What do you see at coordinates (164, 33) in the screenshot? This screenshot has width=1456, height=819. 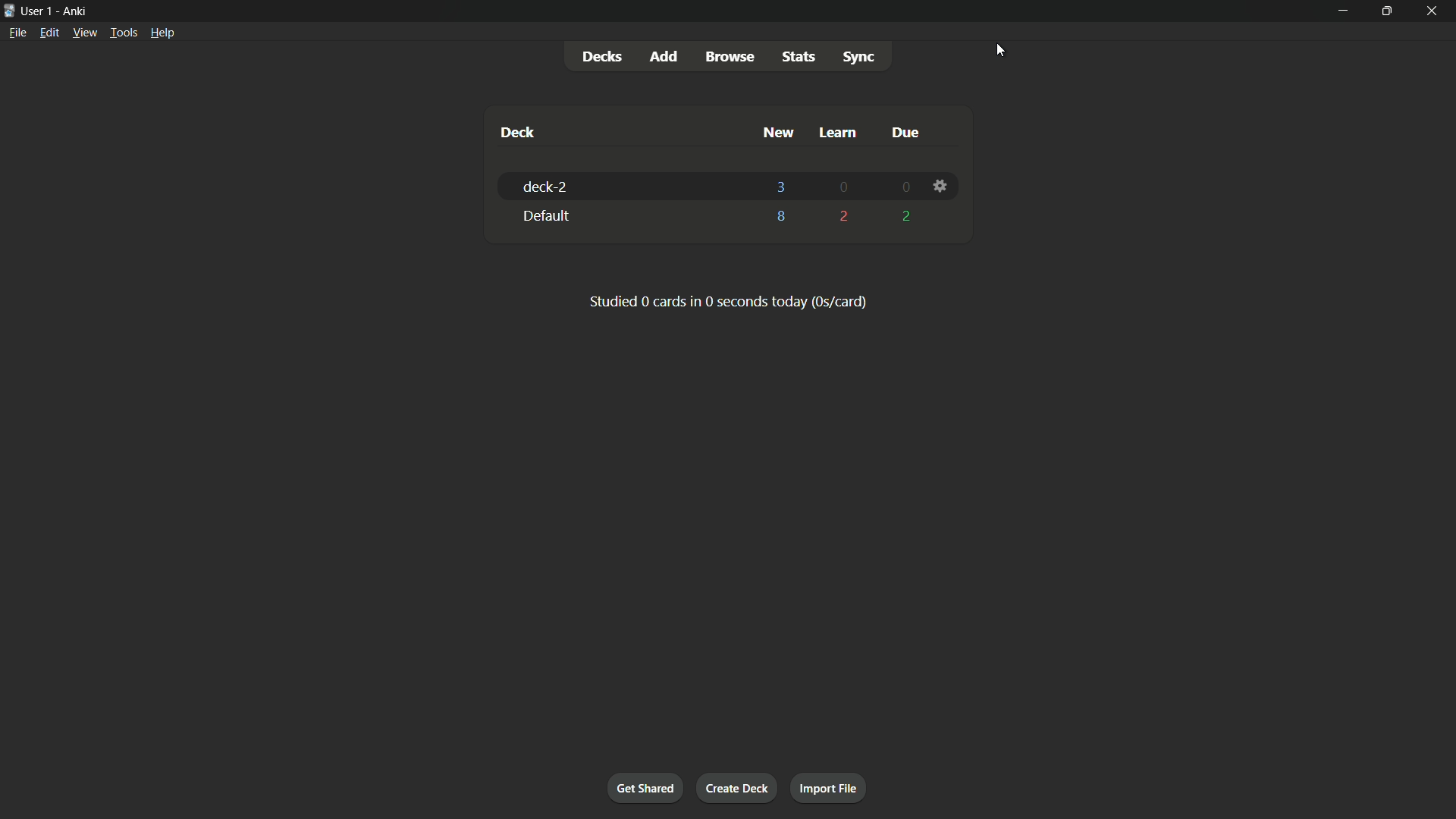 I see `help menu` at bounding box center [164, 33].